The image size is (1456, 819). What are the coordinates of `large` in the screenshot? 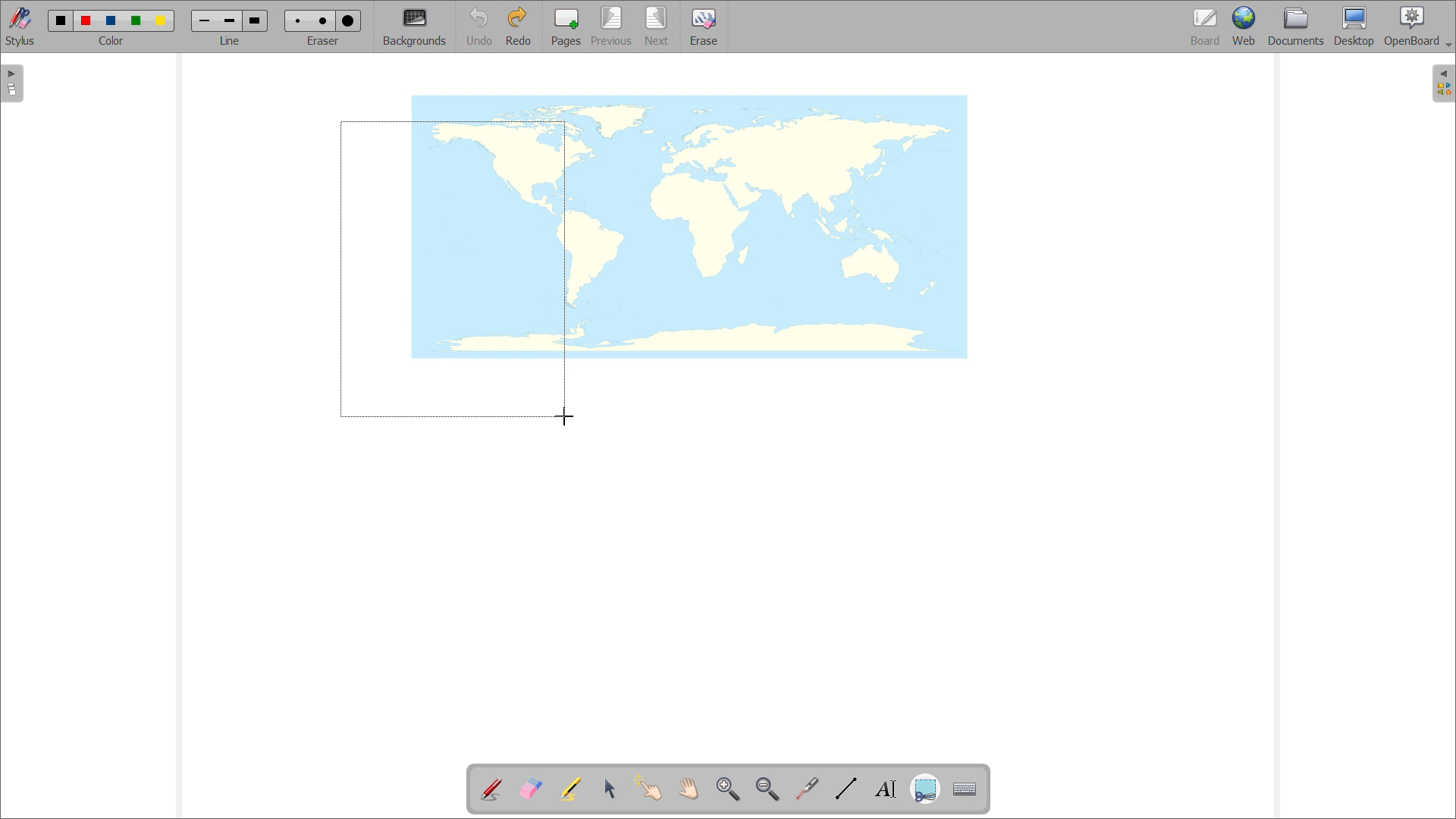 It's located at (254, 20).